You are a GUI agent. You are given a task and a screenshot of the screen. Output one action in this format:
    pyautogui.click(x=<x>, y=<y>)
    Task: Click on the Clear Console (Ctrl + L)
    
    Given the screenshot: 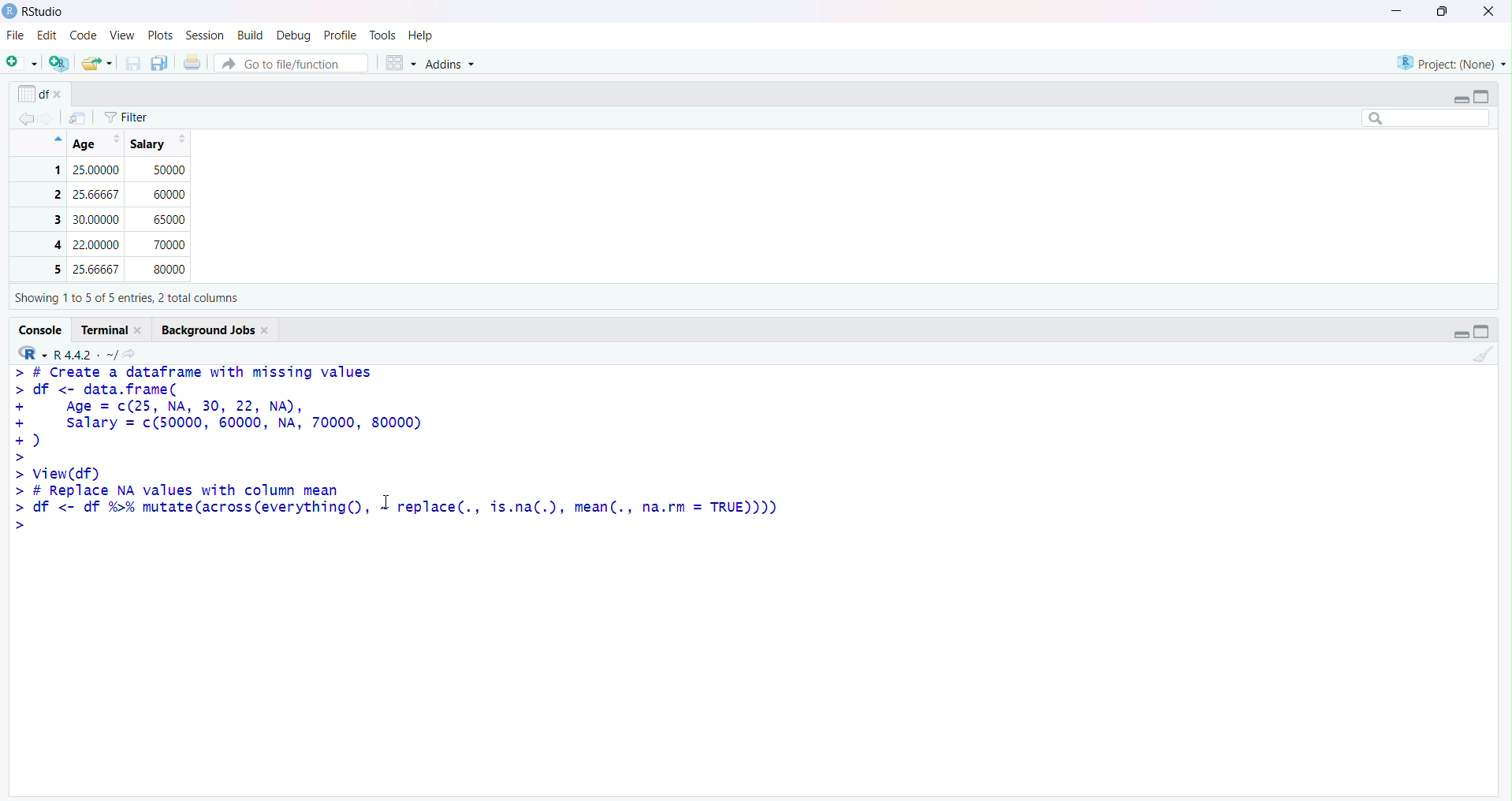 What is the action you would take?
    pyautogui.click(x=1489, y=355)
    